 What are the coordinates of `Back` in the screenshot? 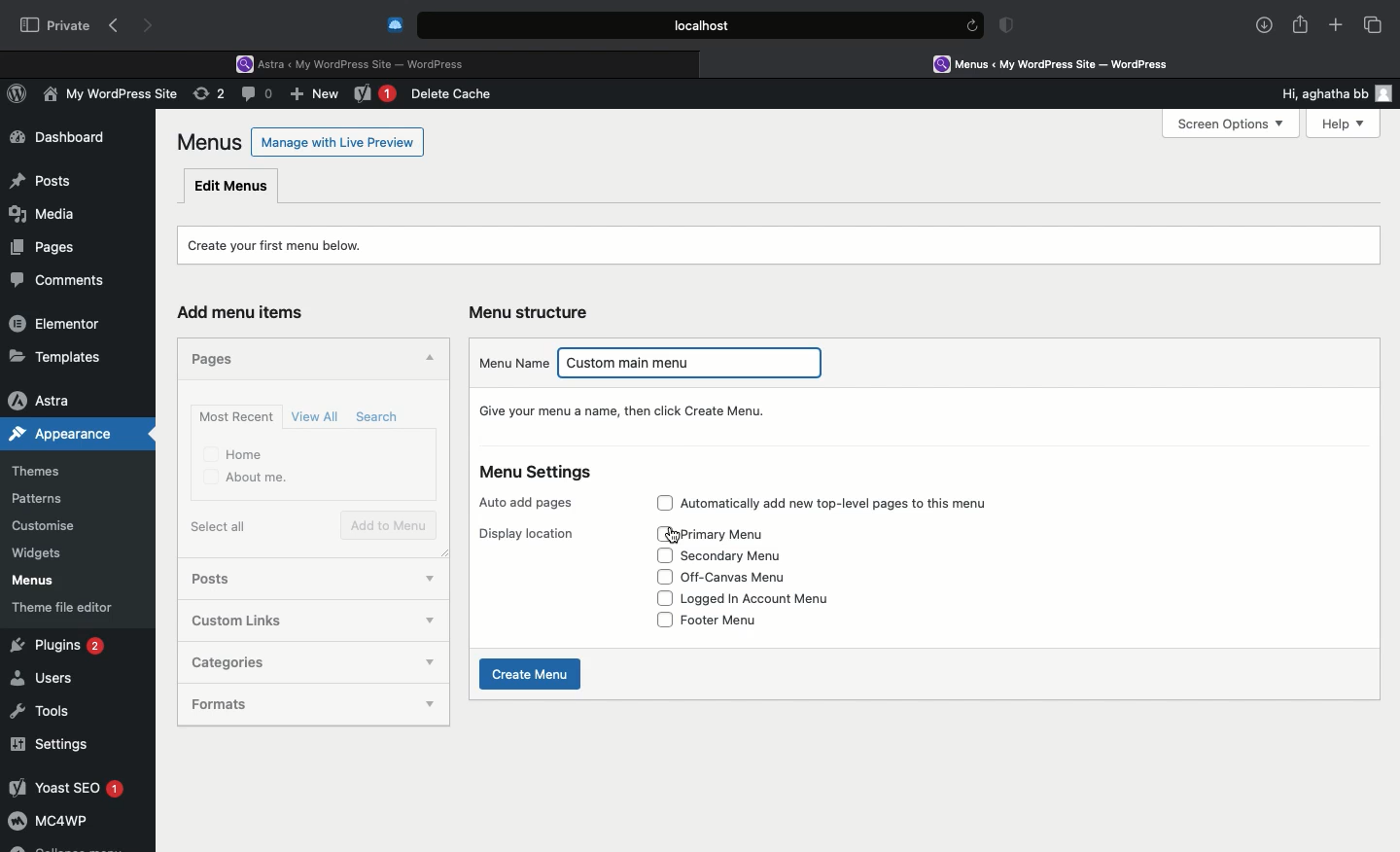 It's located at (118, 26).